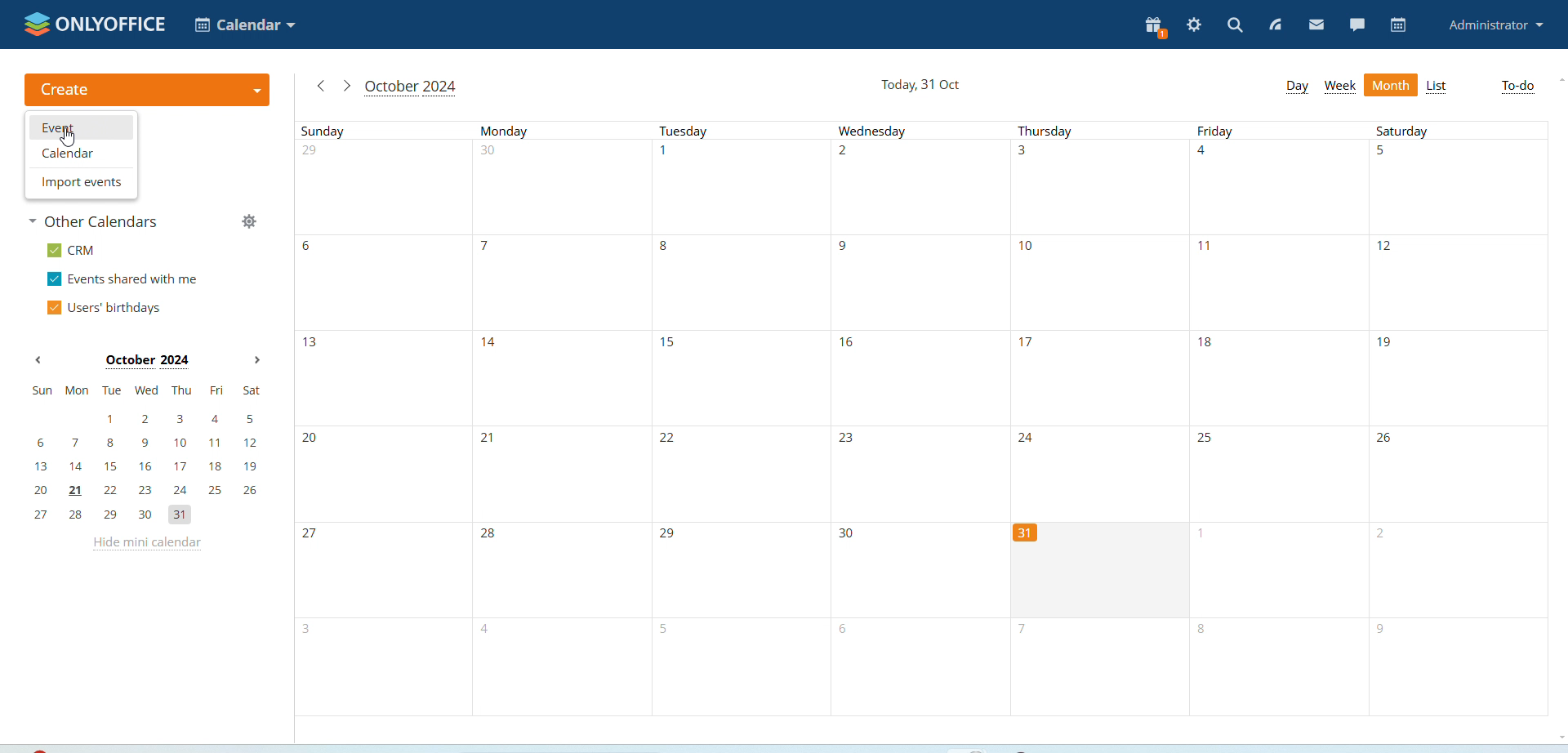 This screenshot has width=1568, height=753. I want to click on calendar, so click(81, 153).